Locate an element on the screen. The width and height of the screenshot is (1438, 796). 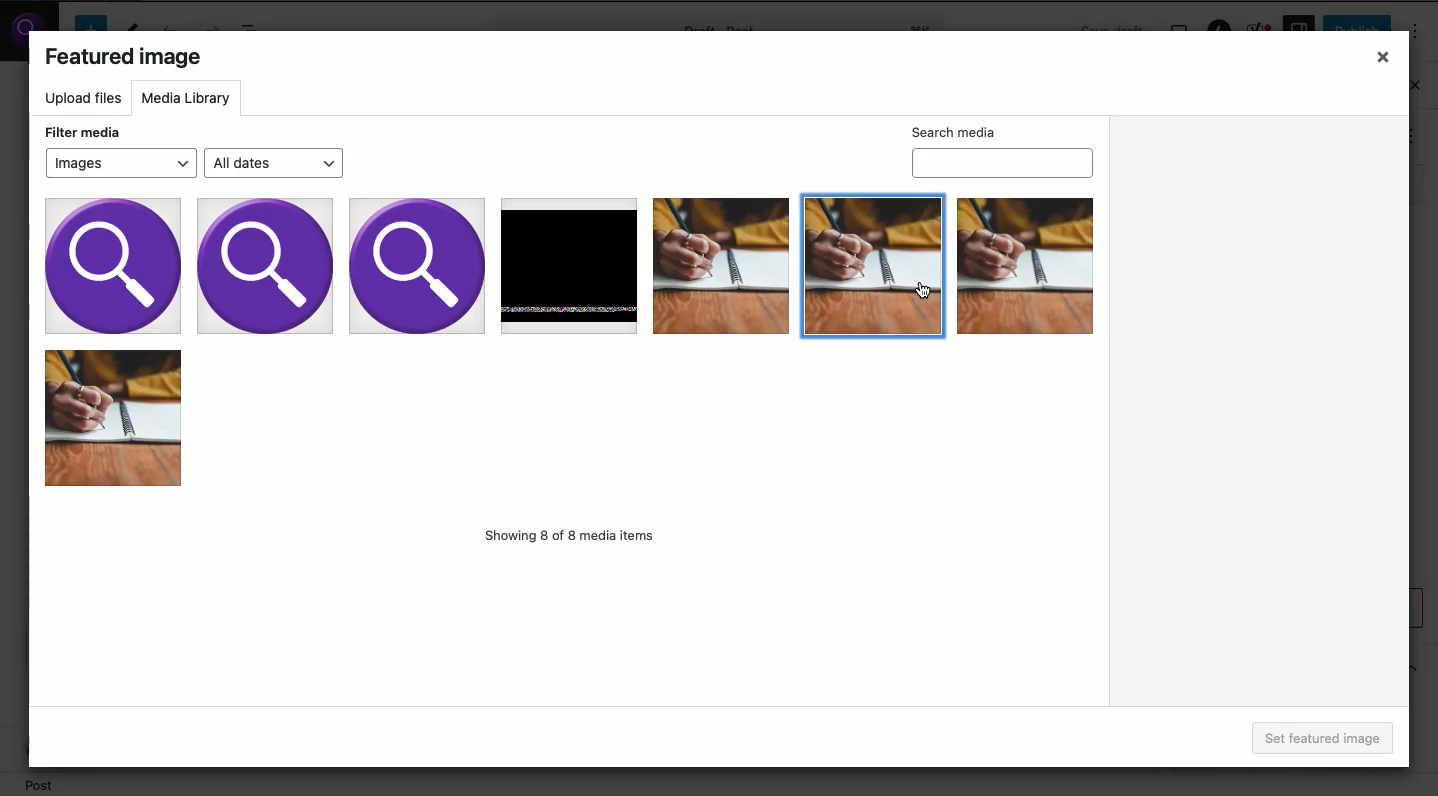
Set featured image is located at coordinates (1328, 738).